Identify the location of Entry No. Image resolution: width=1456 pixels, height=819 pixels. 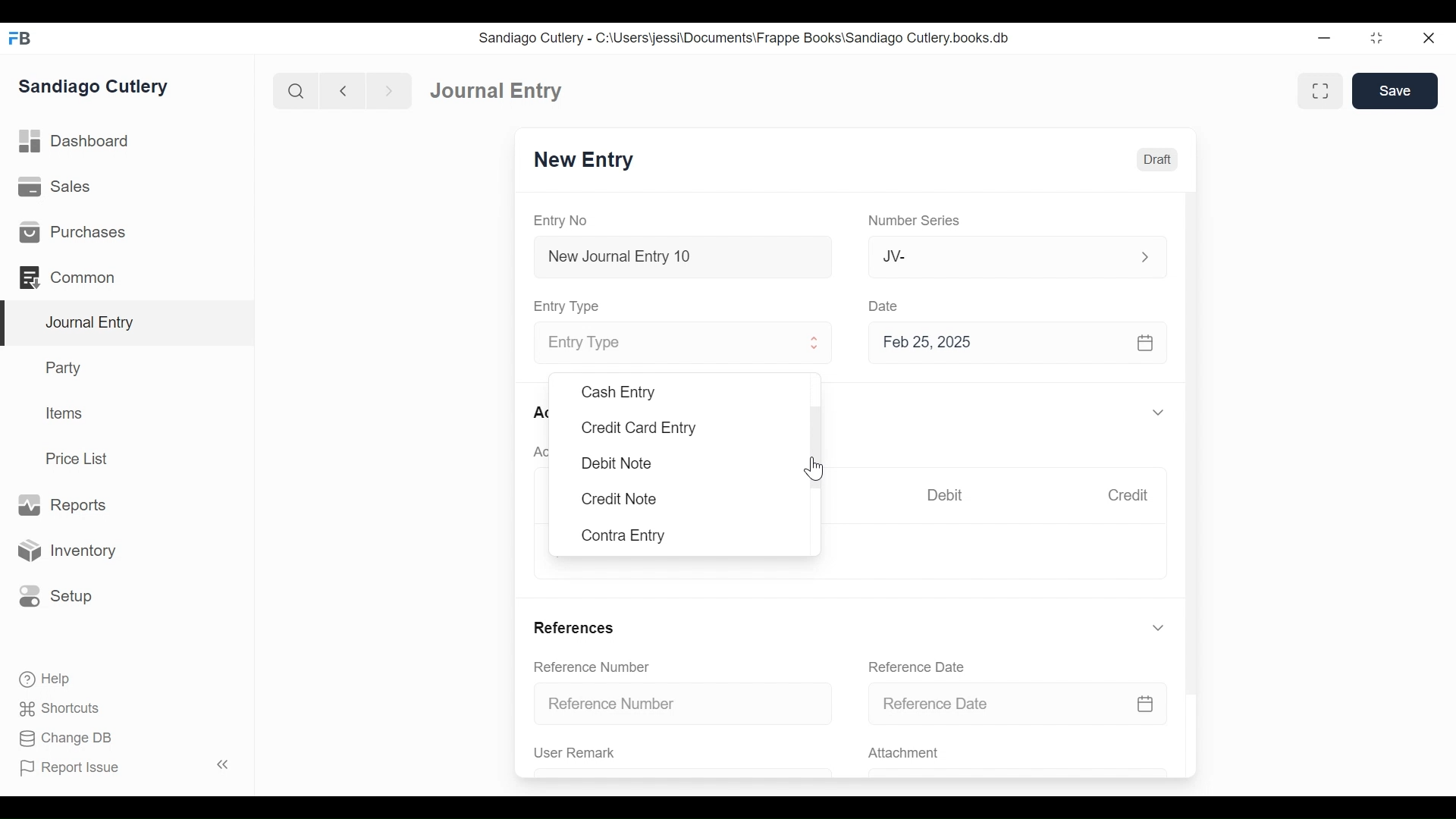
(565, 220).